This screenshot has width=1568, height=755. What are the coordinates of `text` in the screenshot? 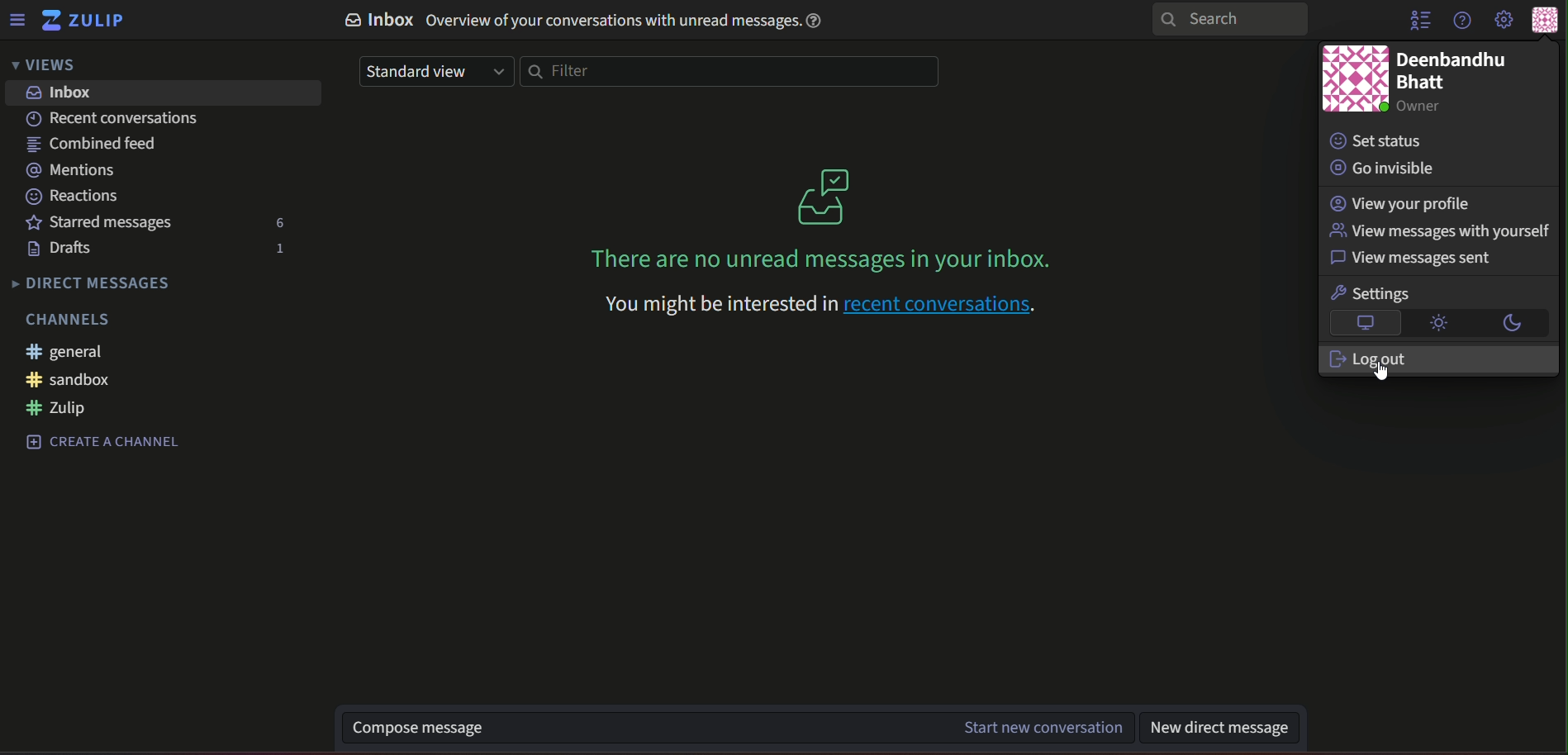 It's located at (73, 170).